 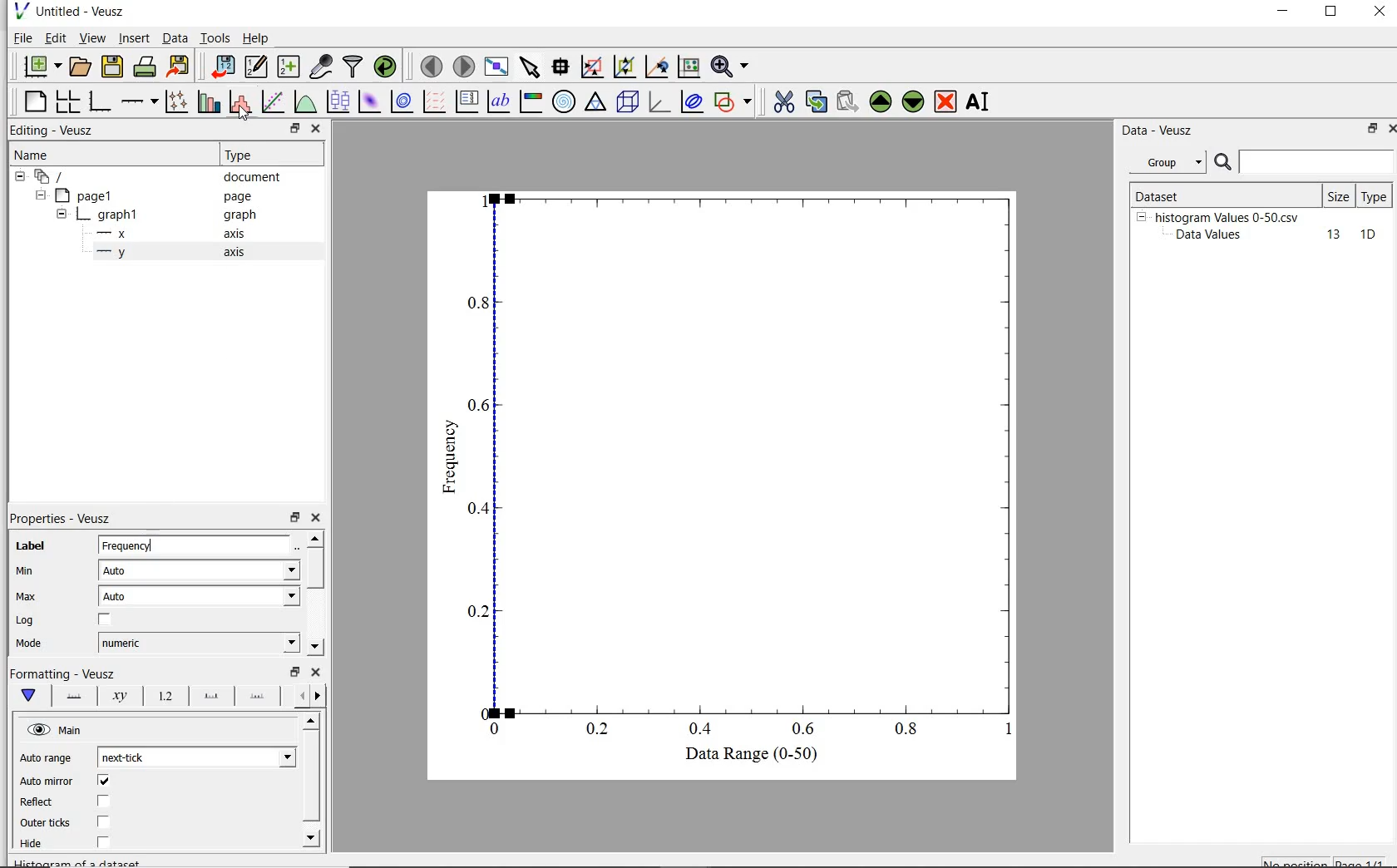 What do you see at coordinates (564, 101) in the screenshot?
I see `polar graph` at bounding box center [564, 101].